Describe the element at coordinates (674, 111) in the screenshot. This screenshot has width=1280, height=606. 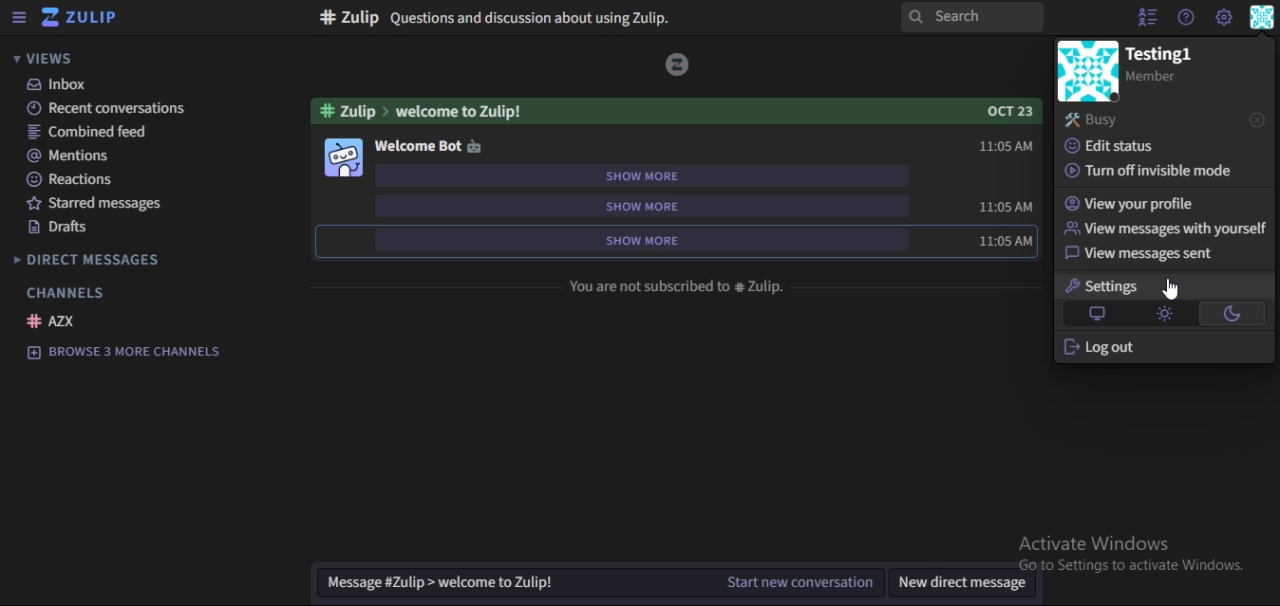
I see `text` at that location.